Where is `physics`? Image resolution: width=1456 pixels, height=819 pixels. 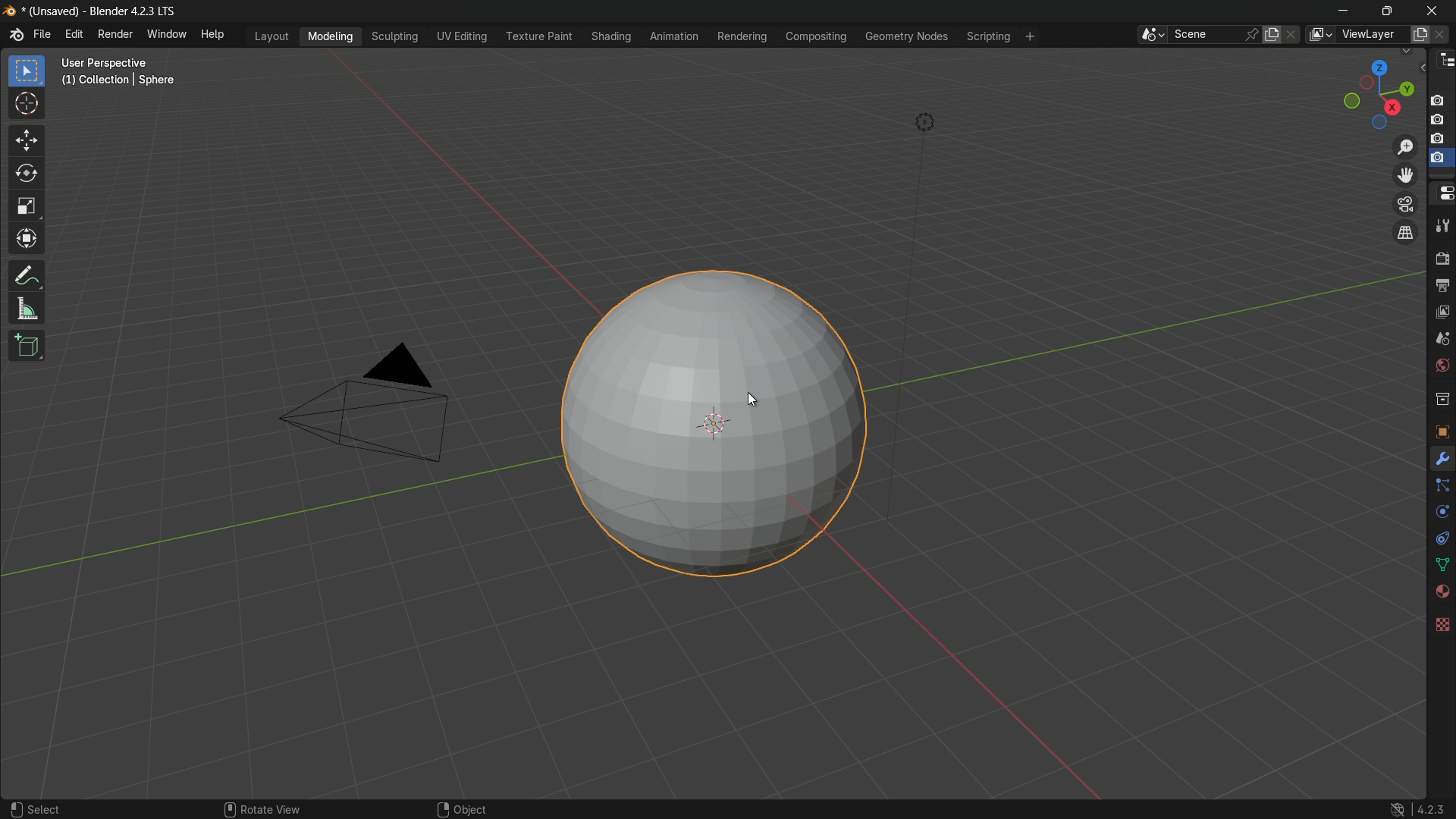
physics is located at coordinates (1441, 513).